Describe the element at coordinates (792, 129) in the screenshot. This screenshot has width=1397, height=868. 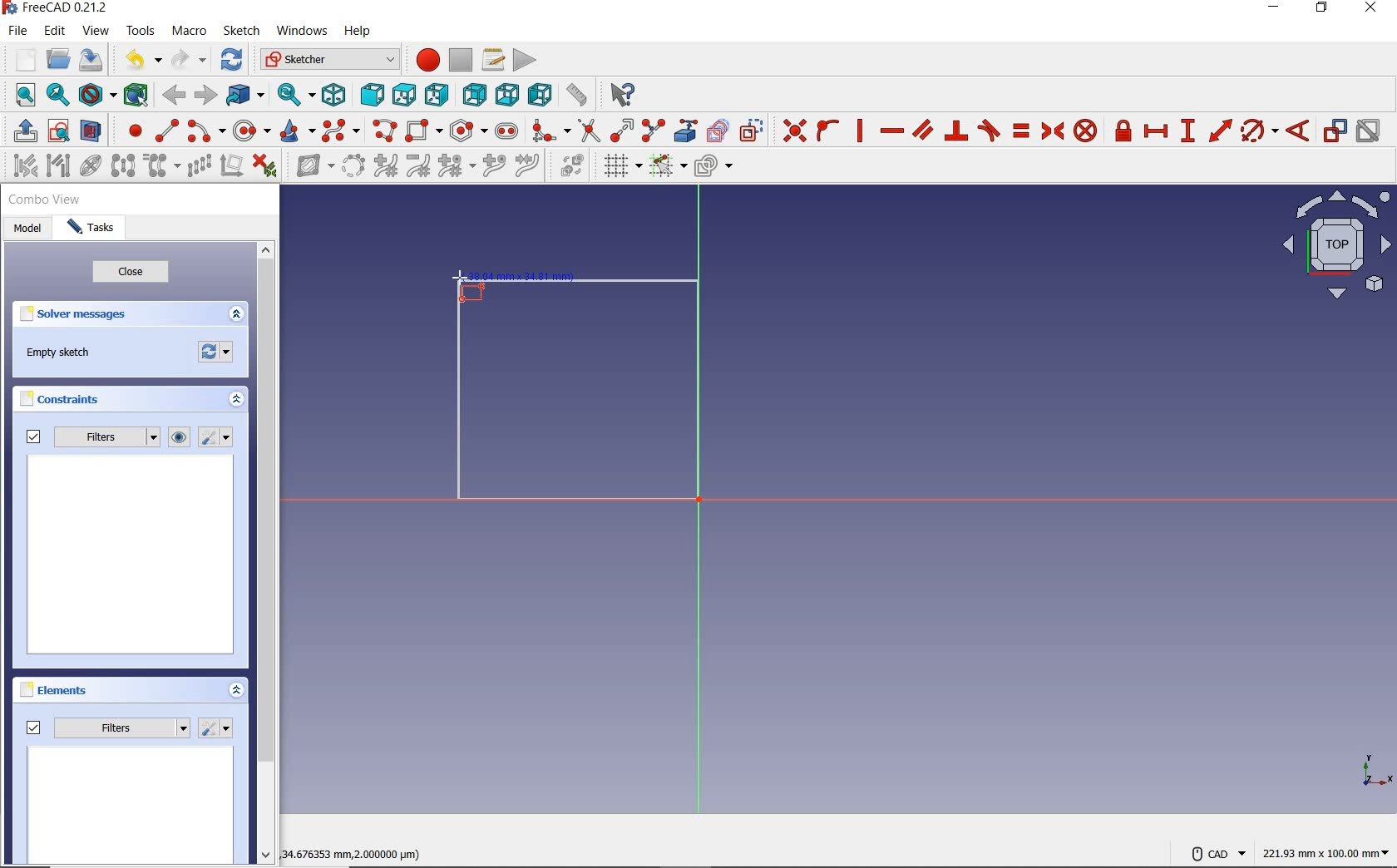
I see `constrain coincident` at that location.